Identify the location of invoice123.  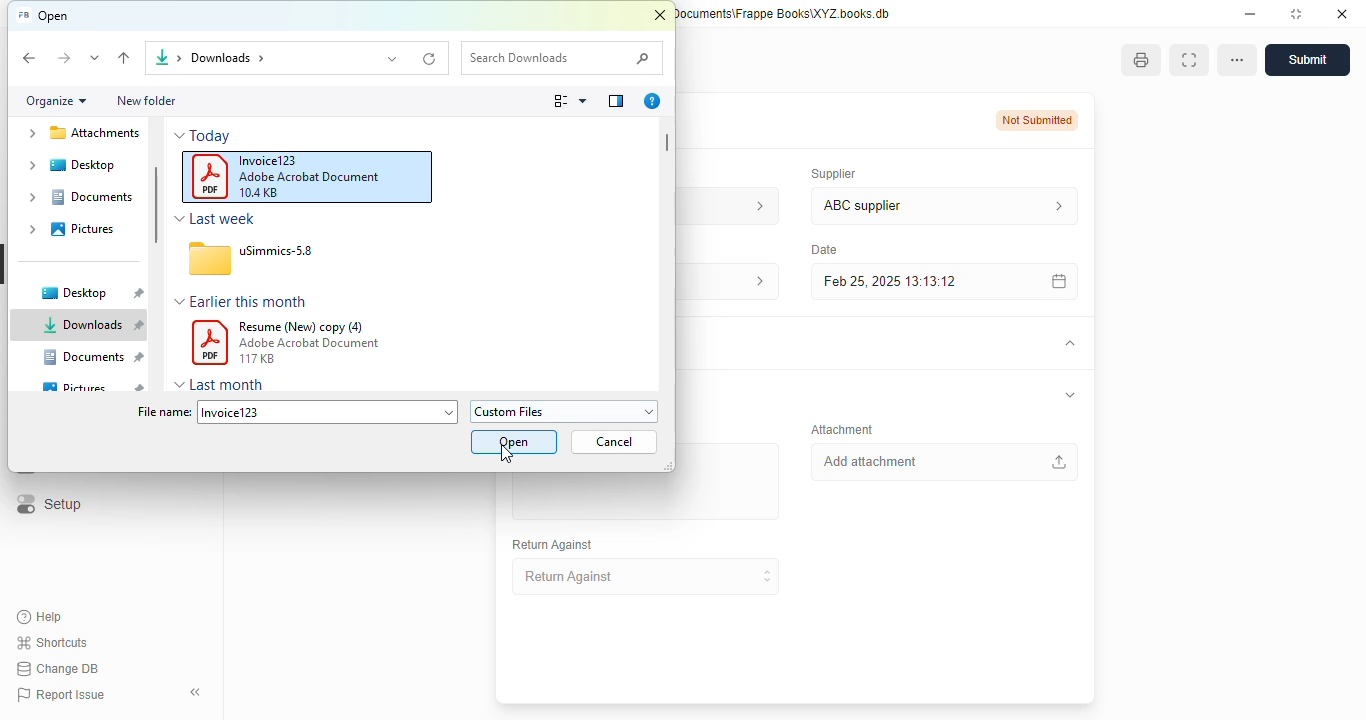
(269, 160).